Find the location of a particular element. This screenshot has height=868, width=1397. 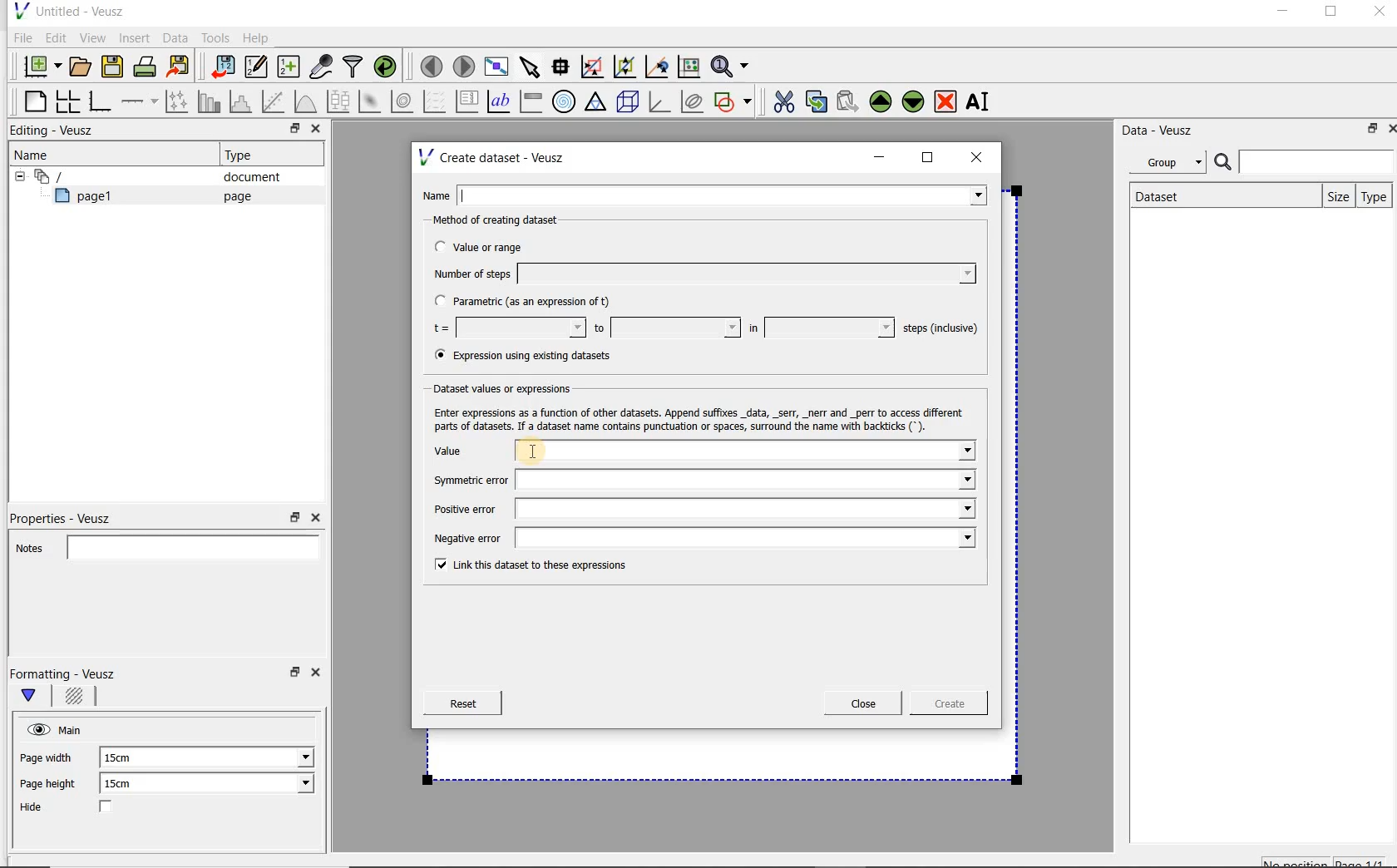

plot covariance ellipses is located at coordinates (693, 101).